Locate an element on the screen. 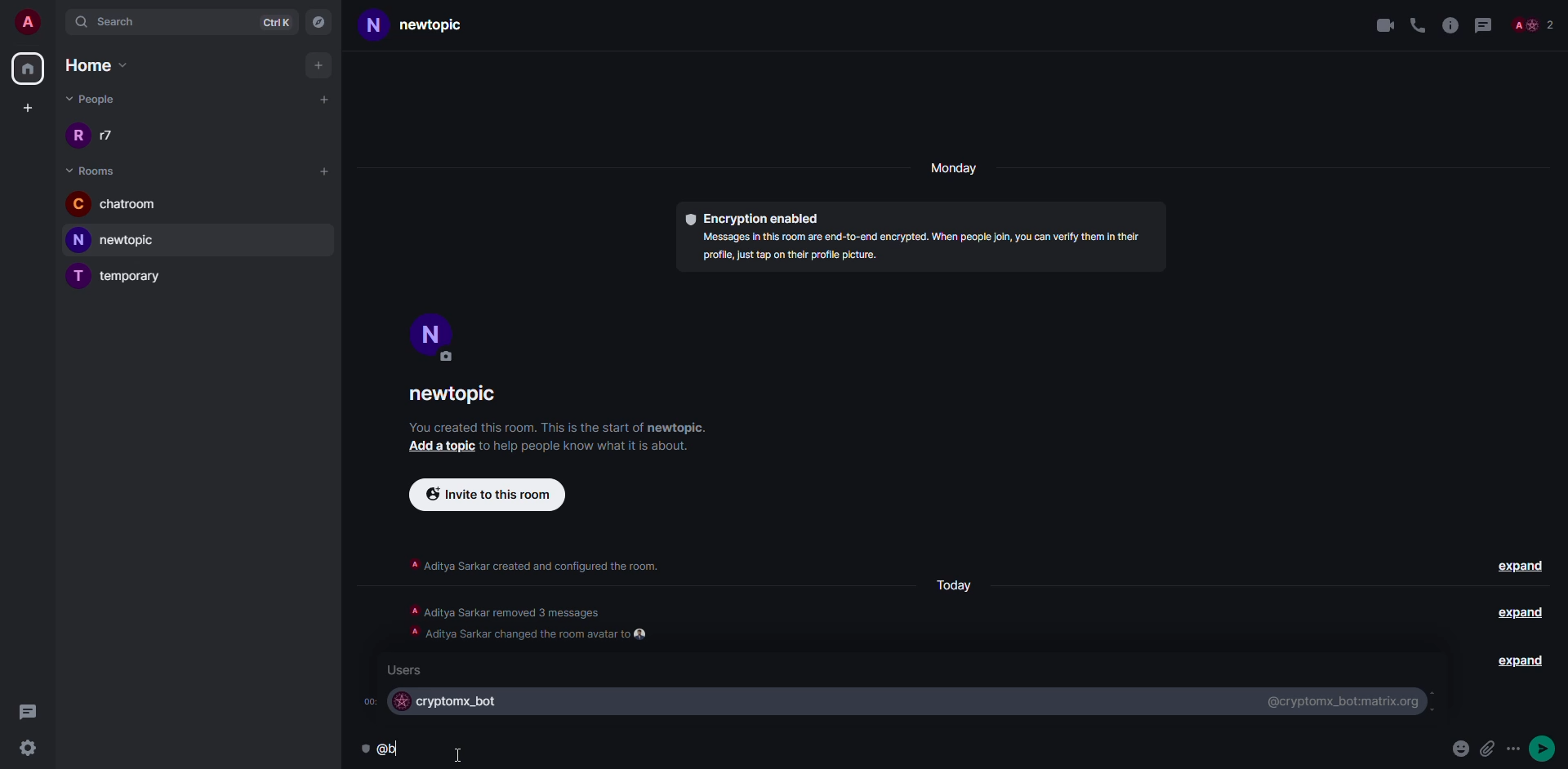  room is located at coordinates (95, 171).